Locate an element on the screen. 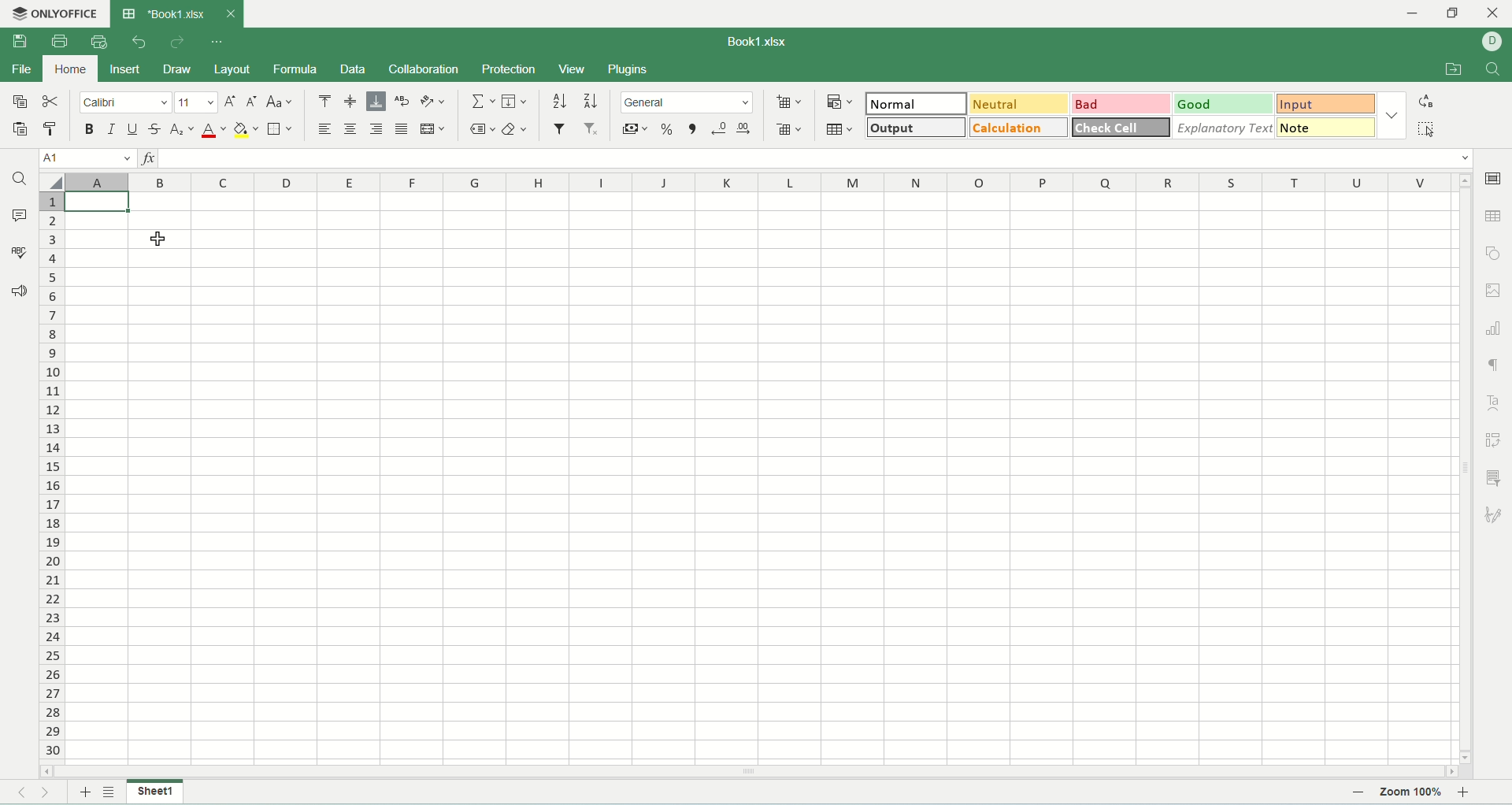 This screenshot has width=1512, height=805. sort descending is located at coordinates (591, 100).